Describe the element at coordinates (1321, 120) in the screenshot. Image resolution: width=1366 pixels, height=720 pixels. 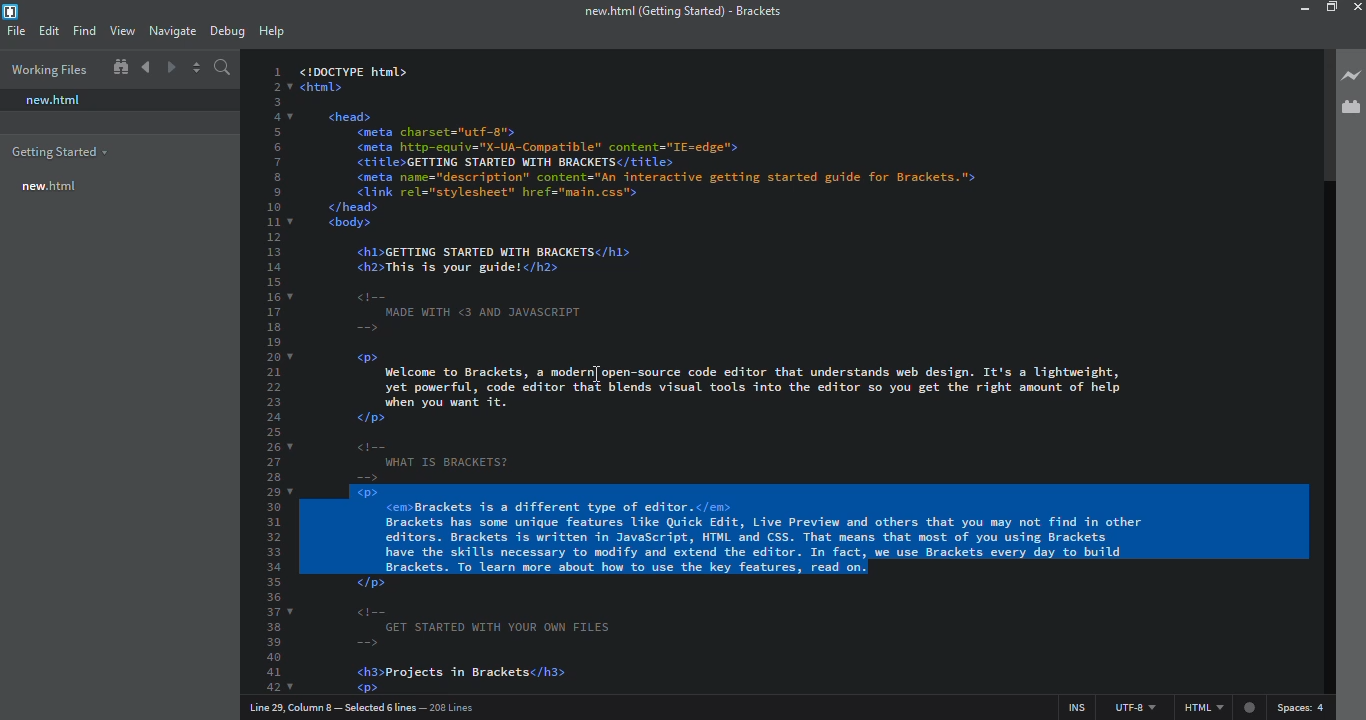
I see `scroll bar` at that location.